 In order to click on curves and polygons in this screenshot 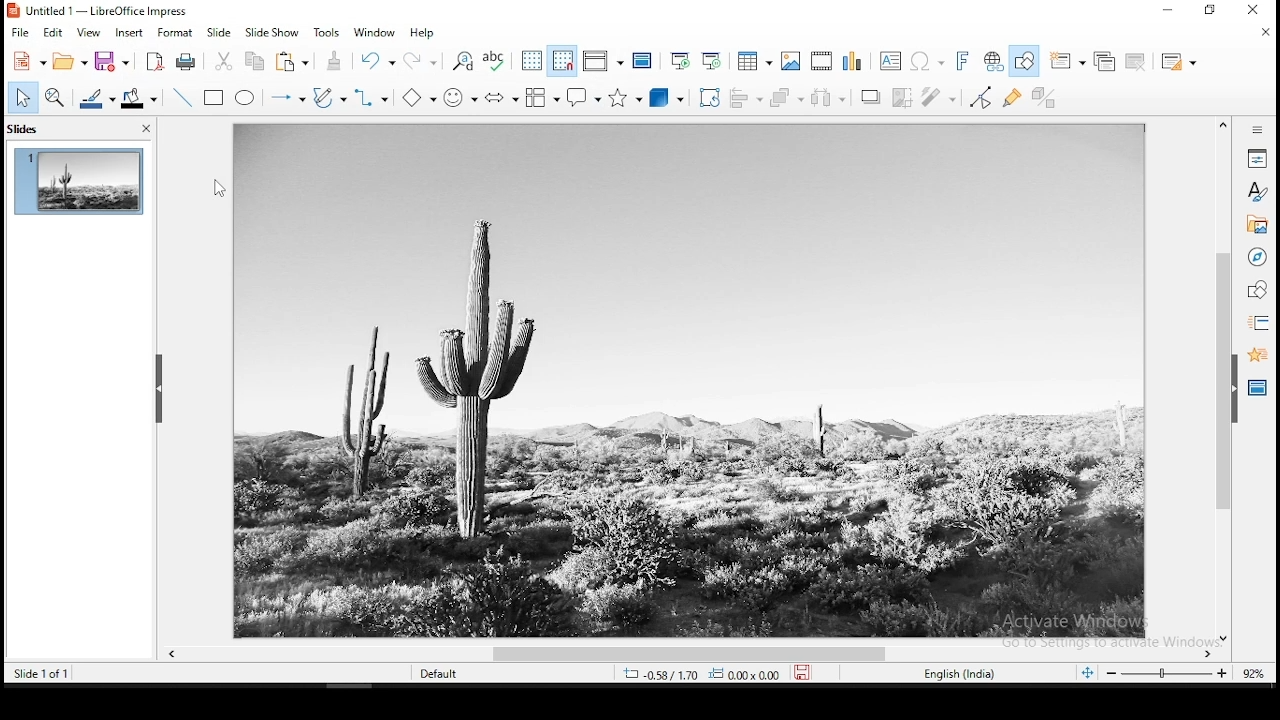, I will do `click(332, 98)`.